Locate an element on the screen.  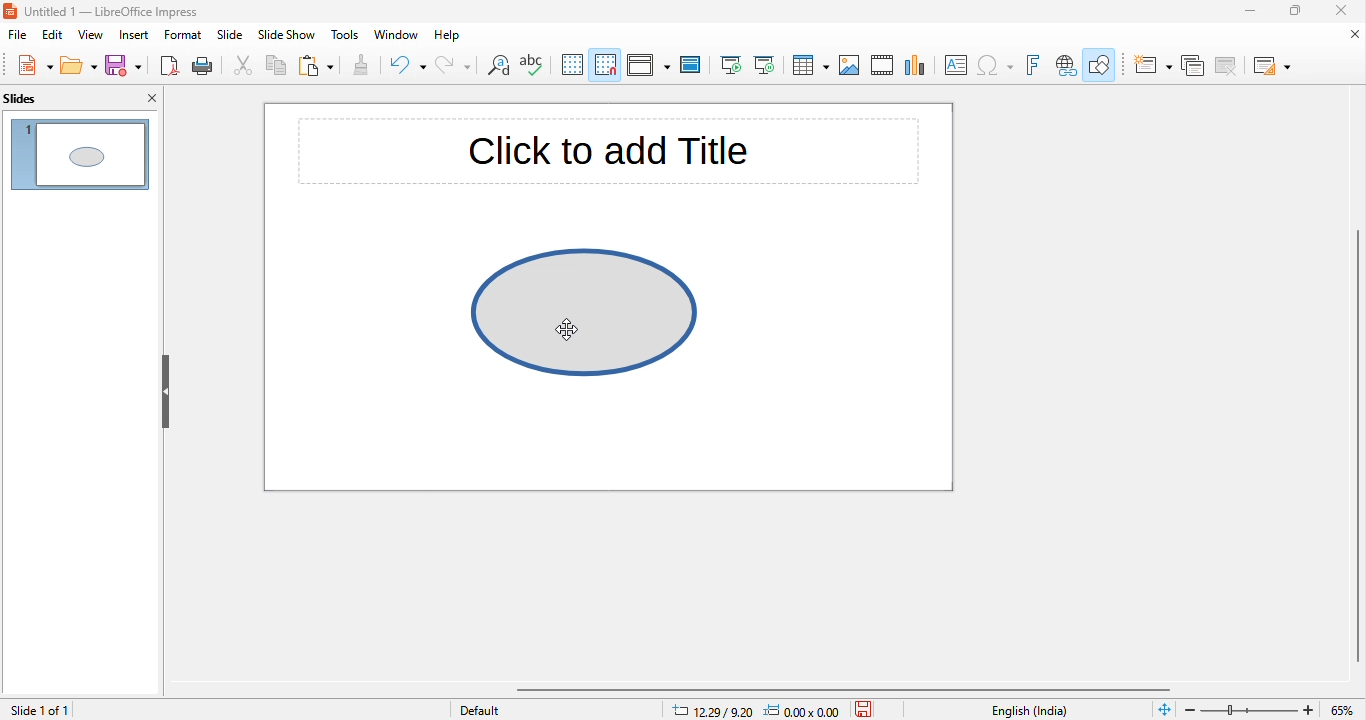
slide is located at coordinates (230, 37).